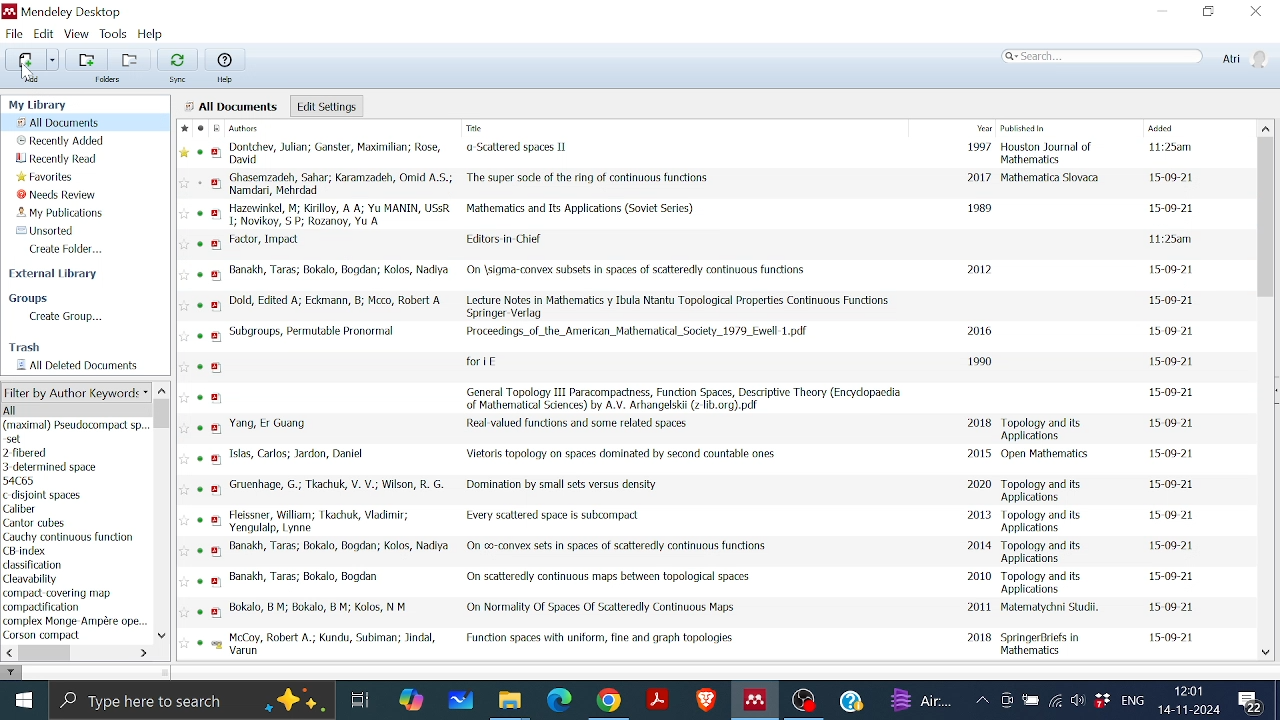 The height and width of the screenshot is (720, 1280). Describe the element at coordinates (65, 160) in the screenshot. I see `Recently read` at that location.